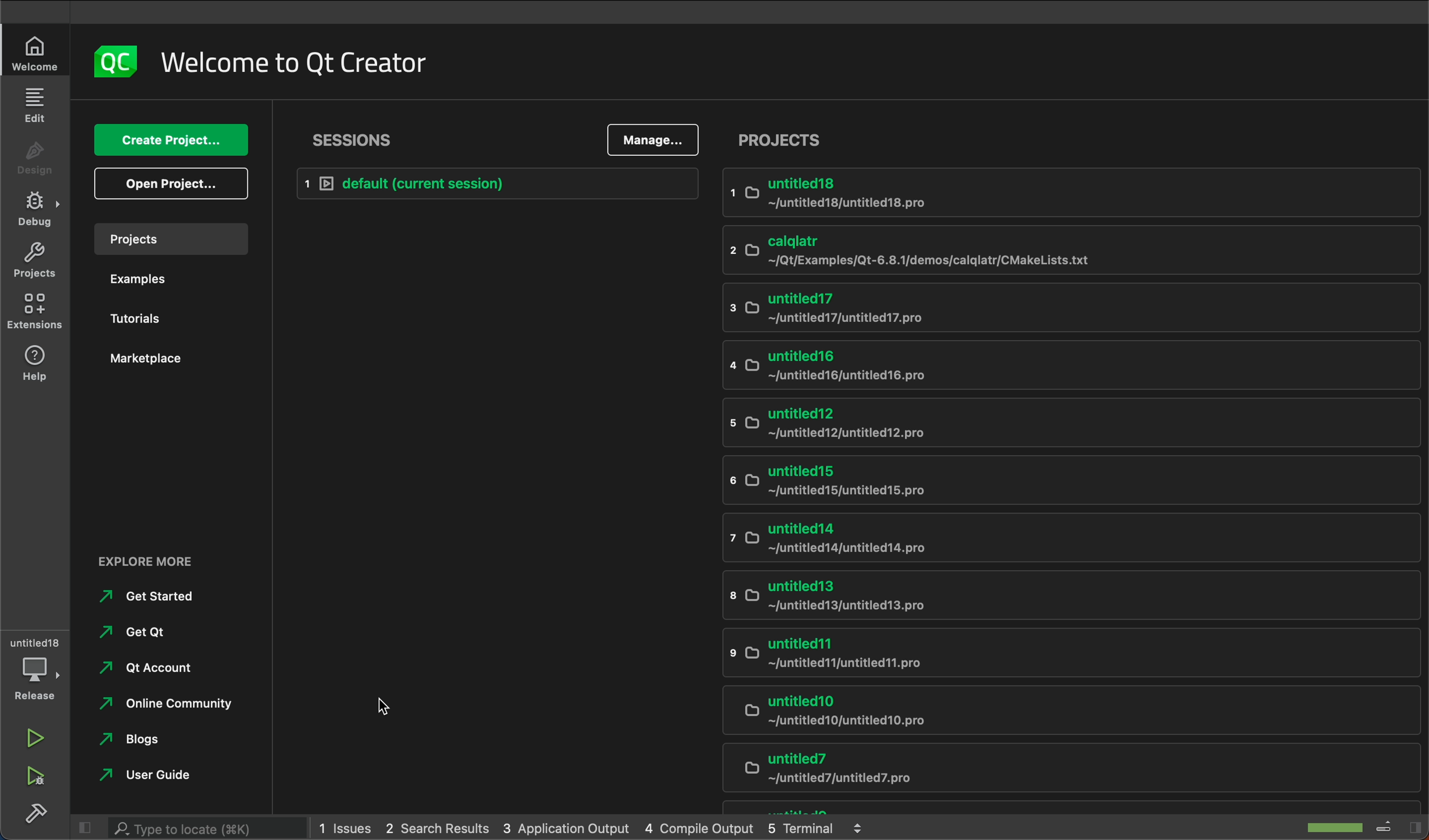 The image size is (1429, 840). What do you see at coordinates (172, 140) in the screenshot?
I see `create` at bounding box center [172, 140].